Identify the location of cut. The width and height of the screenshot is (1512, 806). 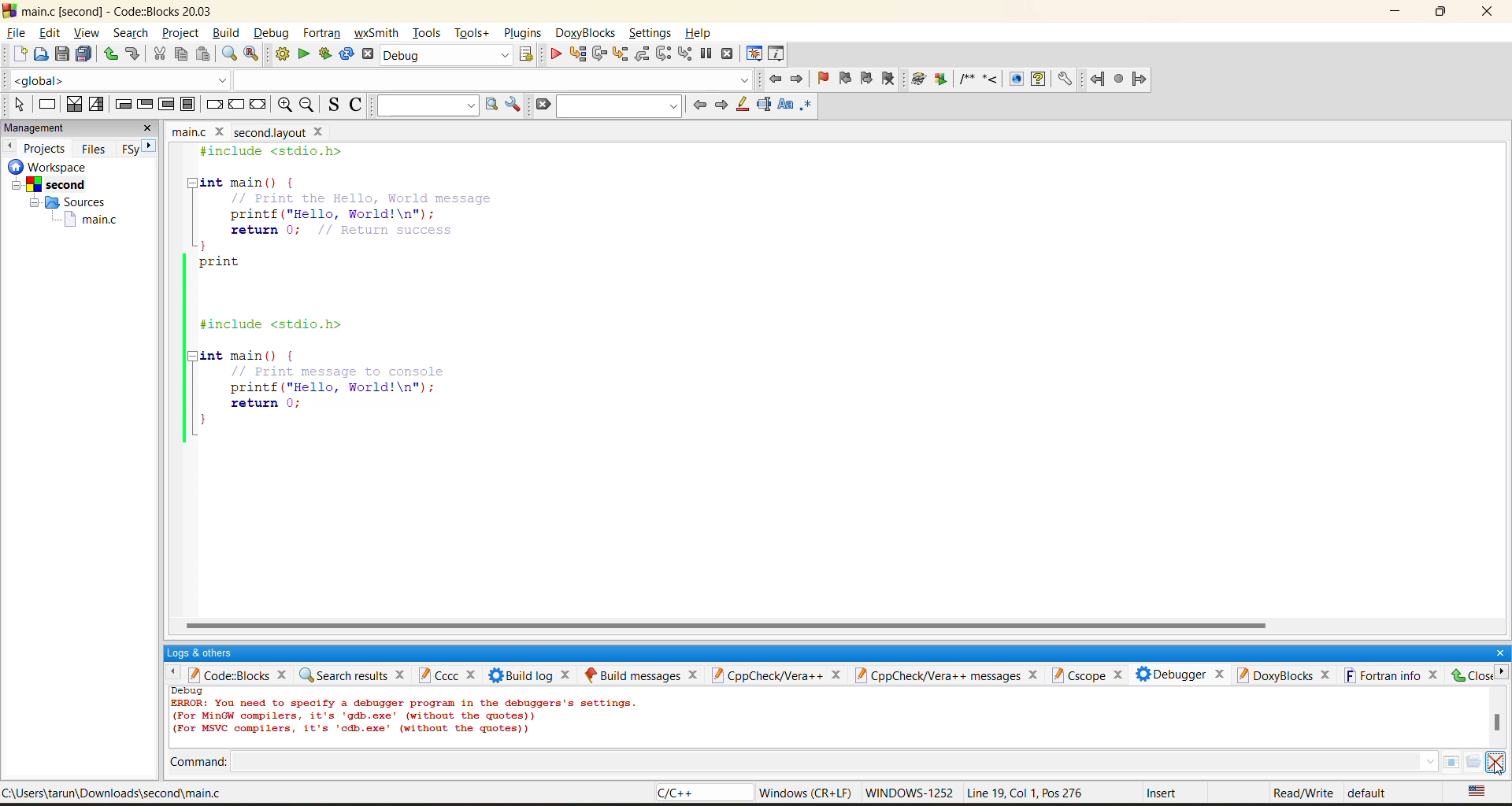
(161, 55).